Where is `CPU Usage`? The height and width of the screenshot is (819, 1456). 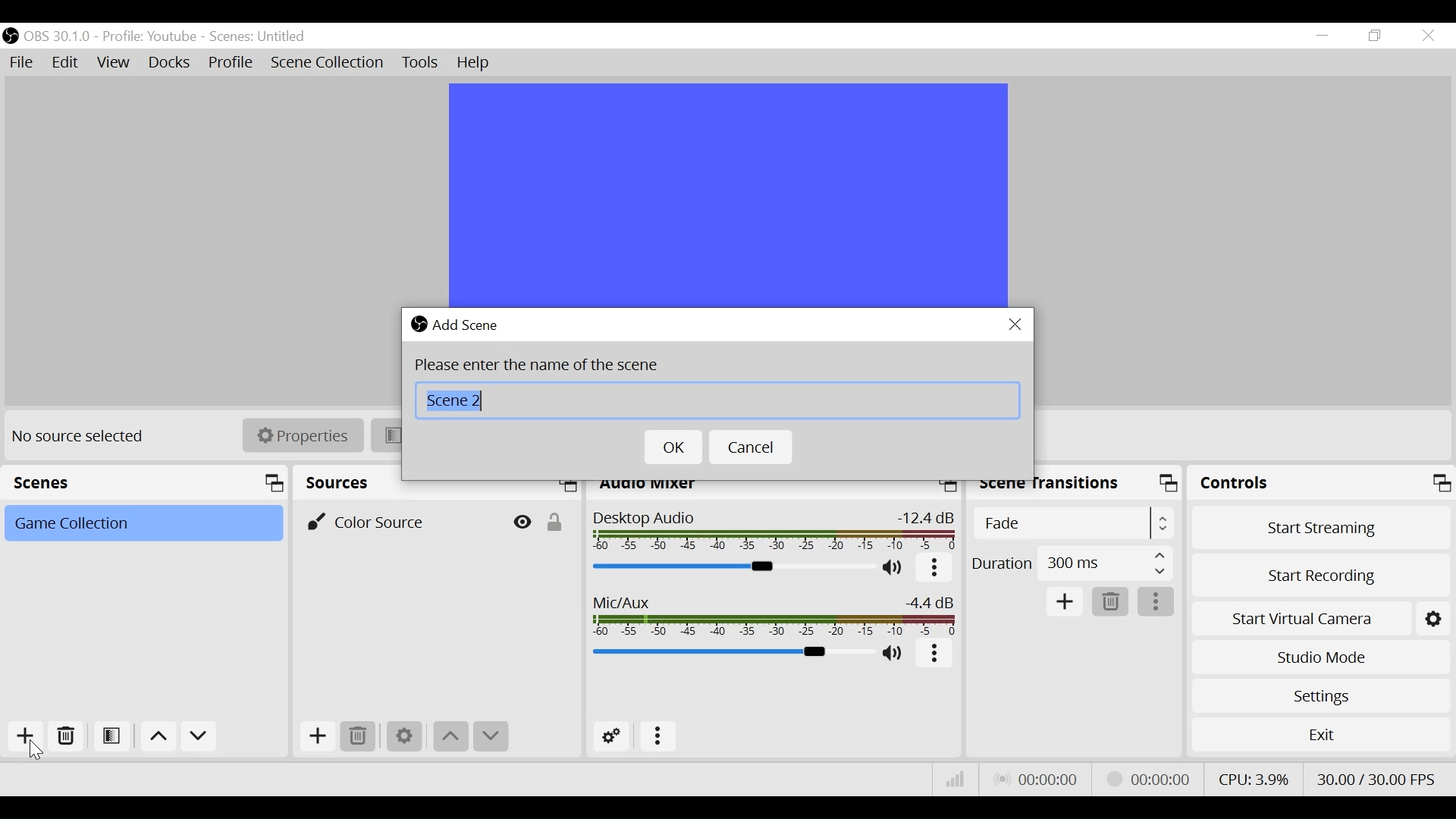 CPU Usage is located at coordinates (1253, 777).